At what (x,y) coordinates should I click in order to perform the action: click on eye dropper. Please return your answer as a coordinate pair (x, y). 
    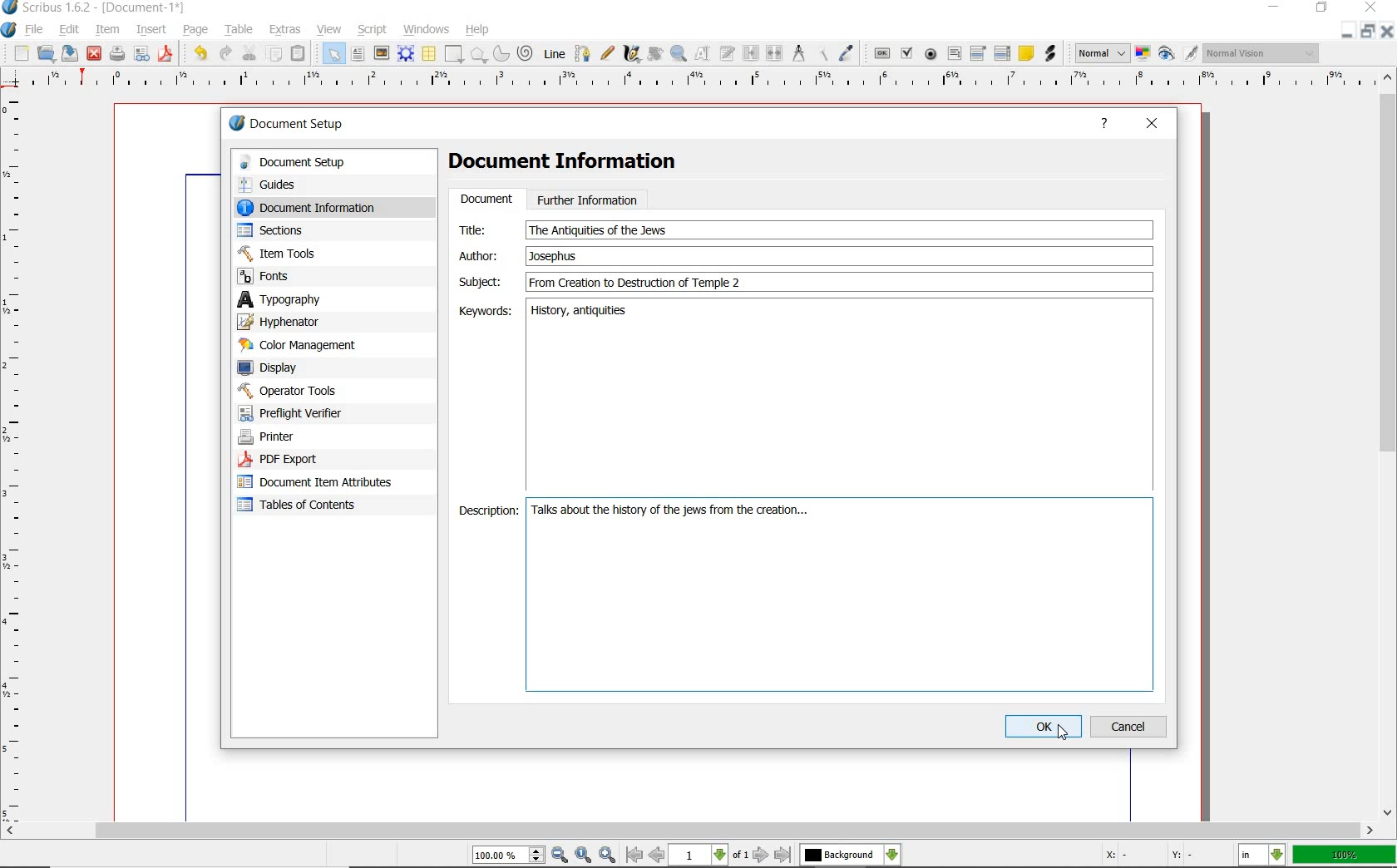
    Looking at the image, I should click on (847, 52).